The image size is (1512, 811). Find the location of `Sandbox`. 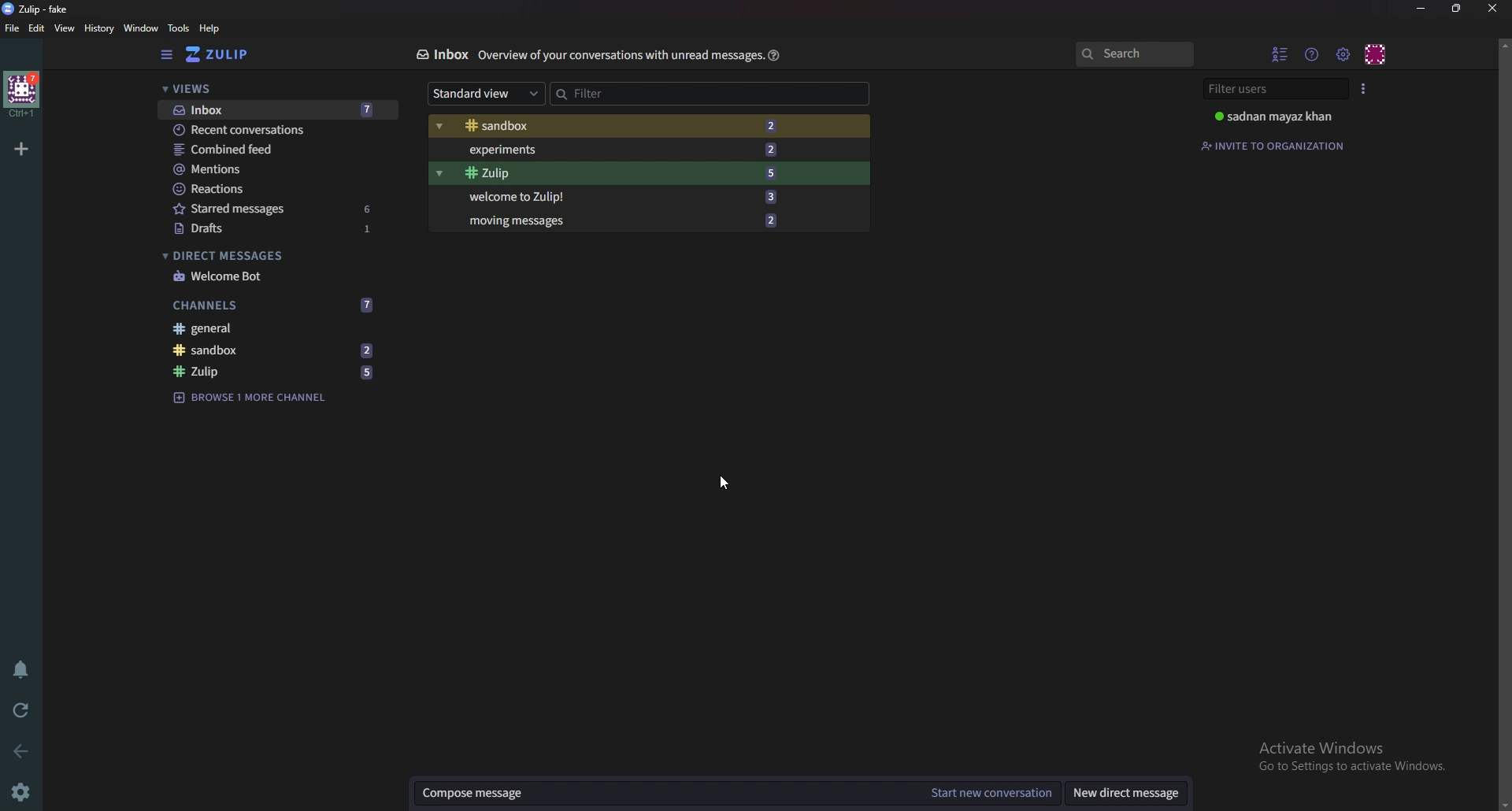

Sandbox is located at coordinates (275, 350).